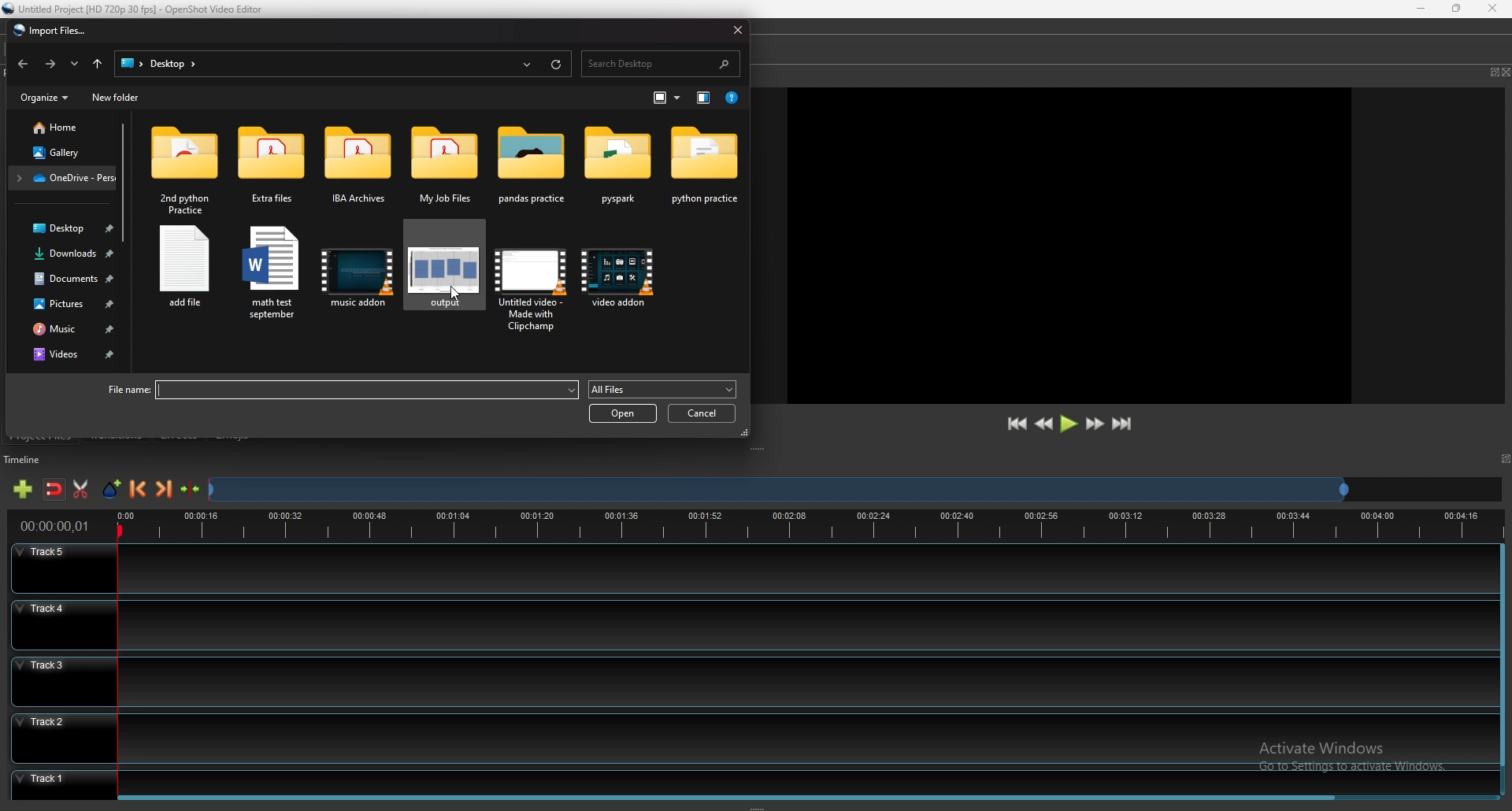  Describe the element at coordinates (185, 268) in the screenshot. I see `file` at that location.